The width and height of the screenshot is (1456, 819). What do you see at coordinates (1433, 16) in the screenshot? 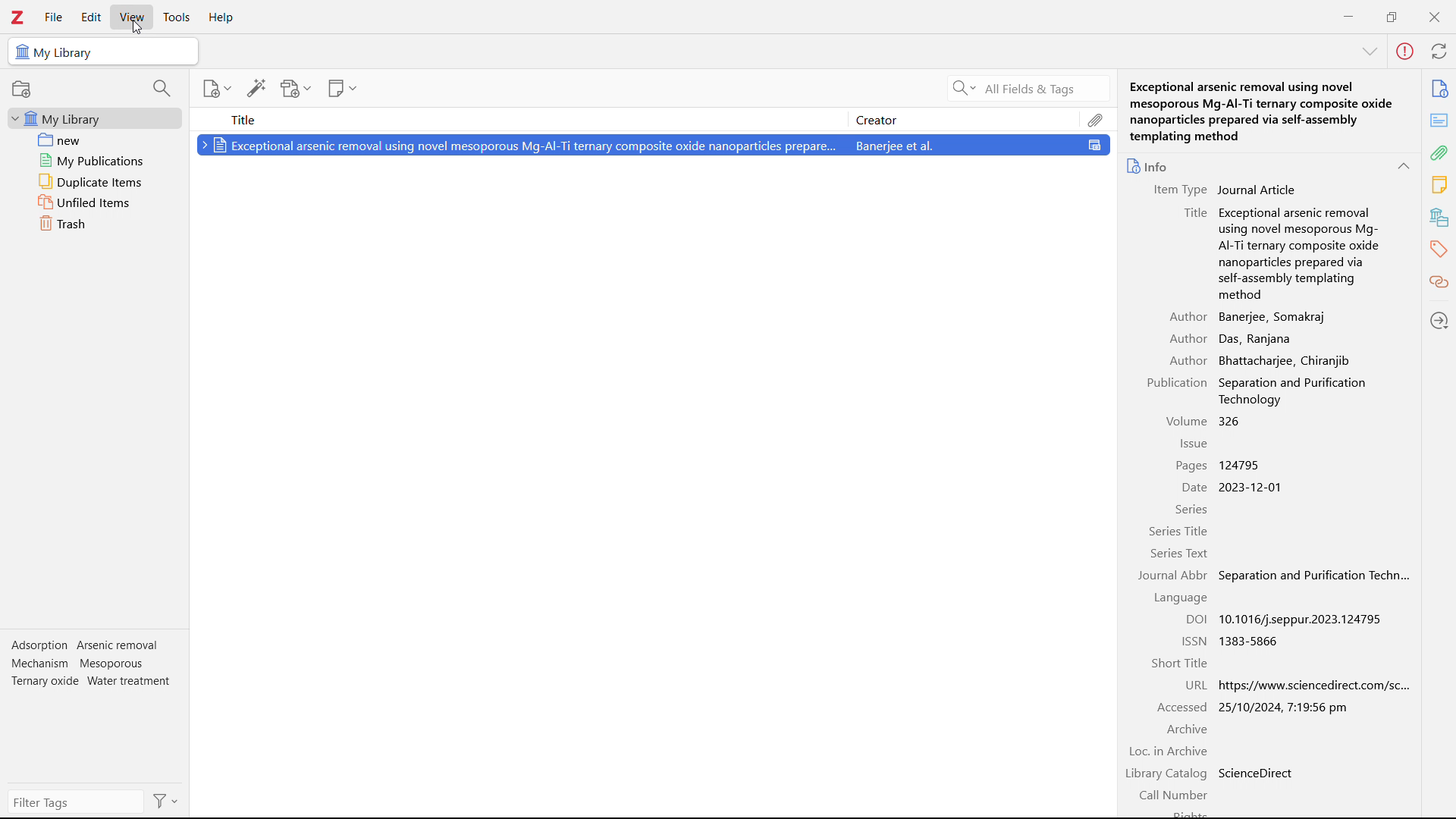
I see `close` at bounding box center [1433, 16].